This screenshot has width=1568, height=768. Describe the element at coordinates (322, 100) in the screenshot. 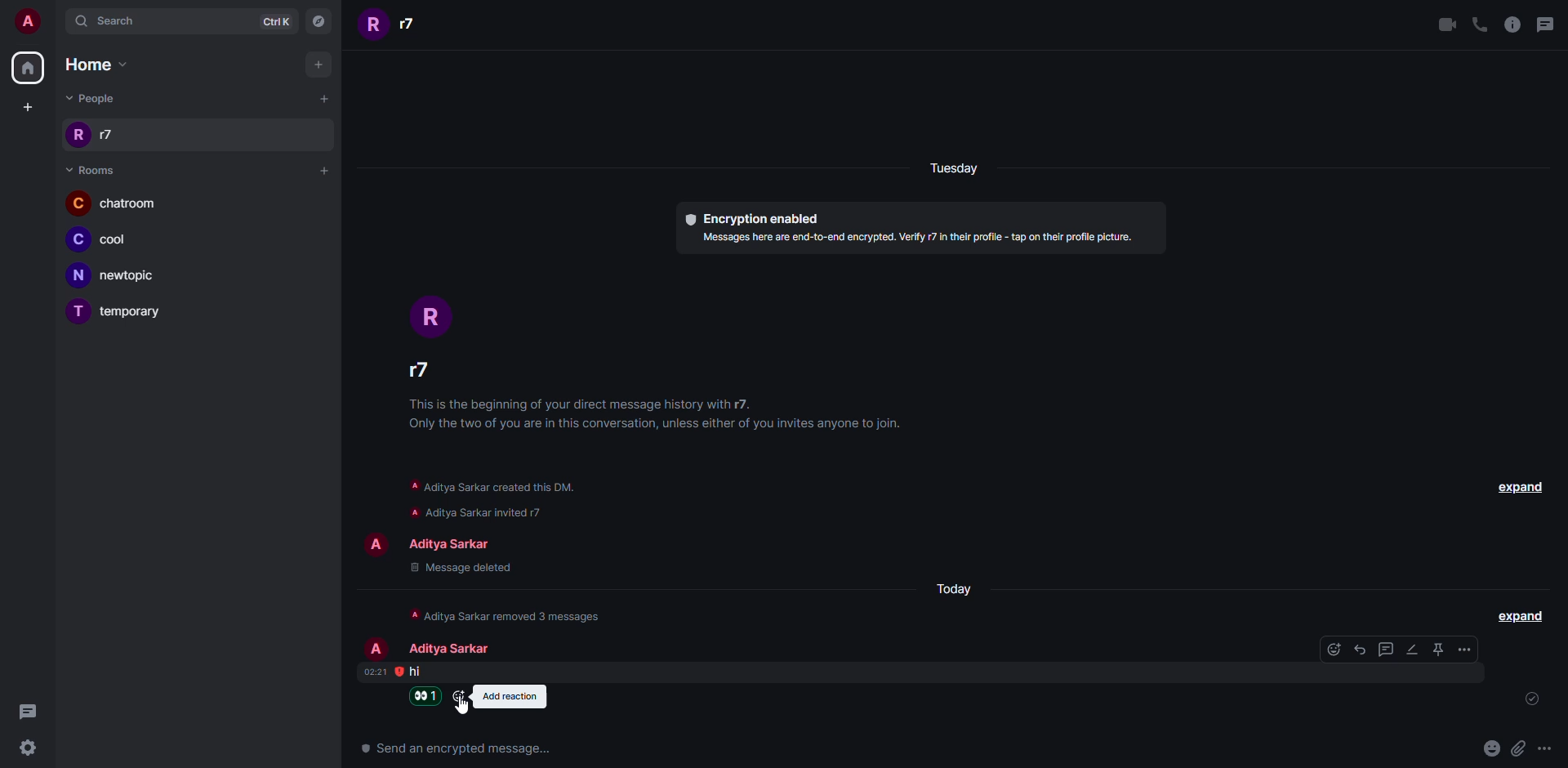

I see `add` at that location.